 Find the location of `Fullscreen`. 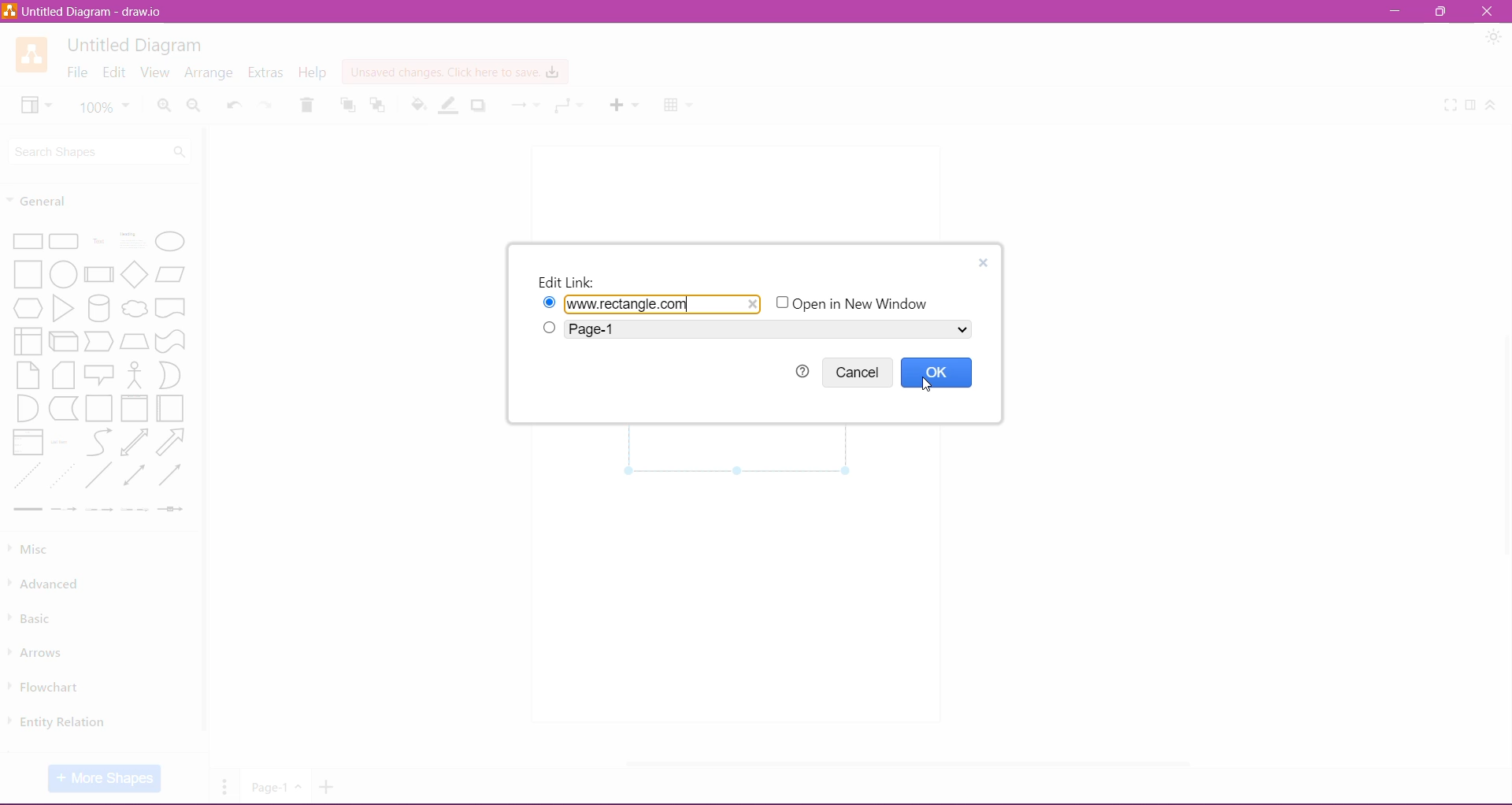

Fullscreen is located at coordinates (1451, 106).